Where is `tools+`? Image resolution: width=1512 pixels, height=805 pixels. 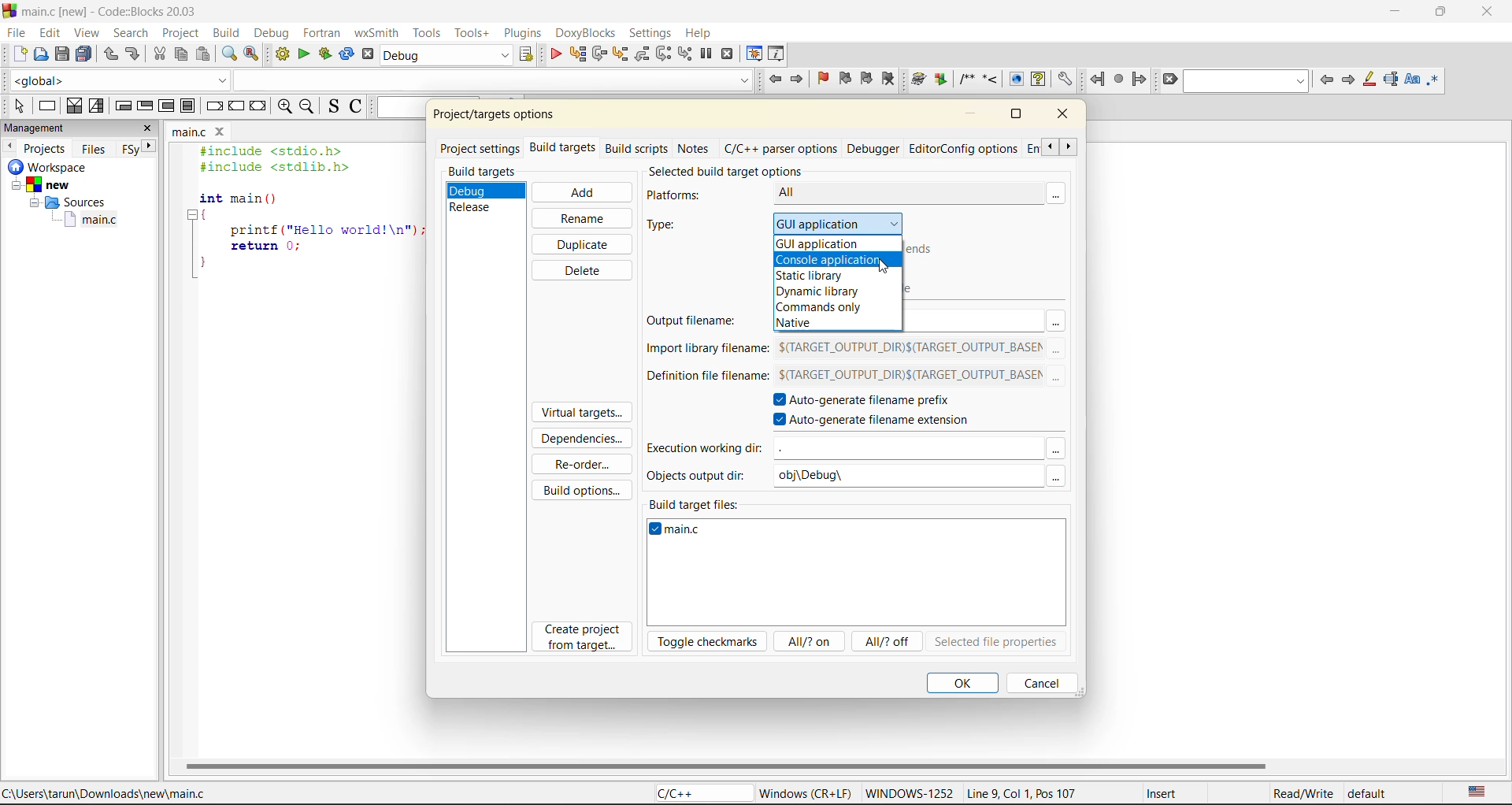 tools+ is located at coordinates (471, 32).